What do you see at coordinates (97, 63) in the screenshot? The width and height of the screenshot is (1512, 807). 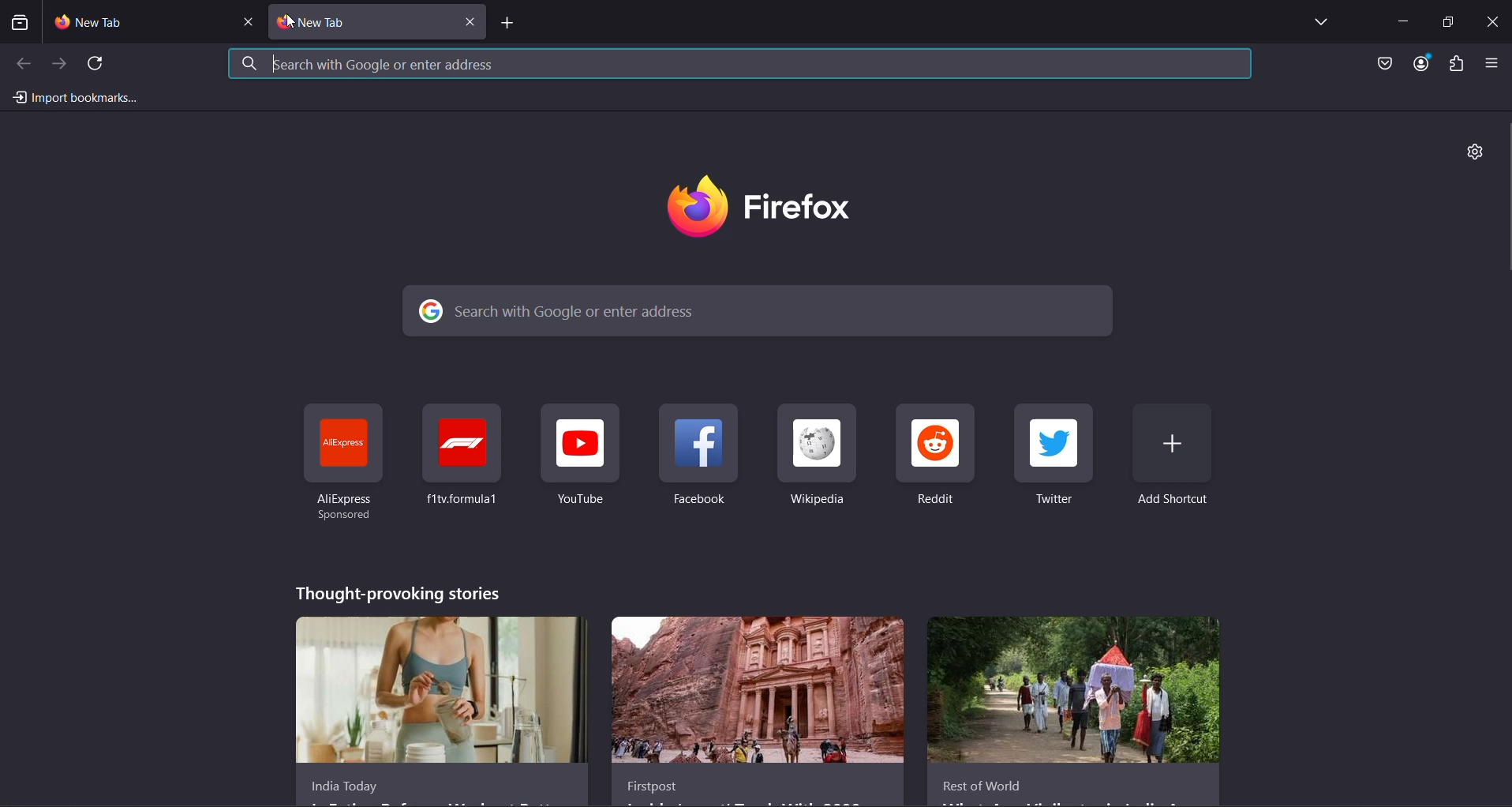 I see `reload current page` at bounding box center [97, 63].